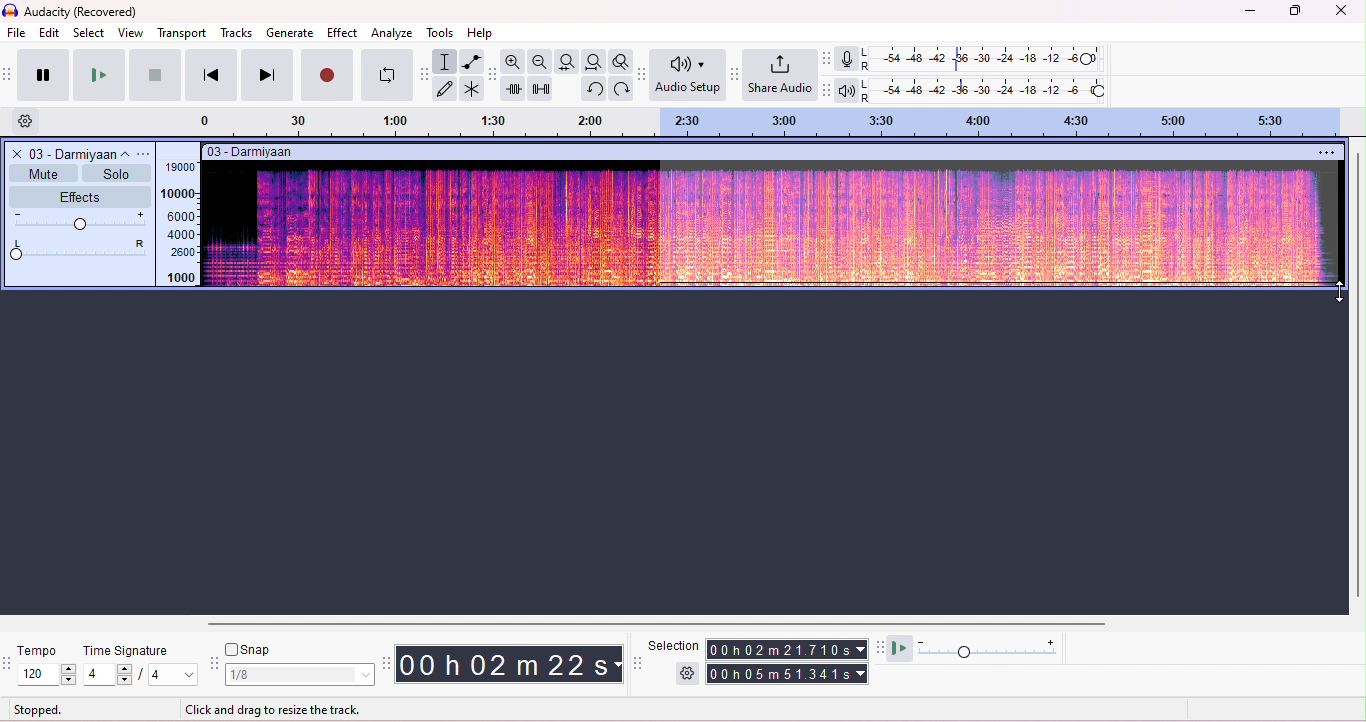  I want to click on volume, so click(81, 222).